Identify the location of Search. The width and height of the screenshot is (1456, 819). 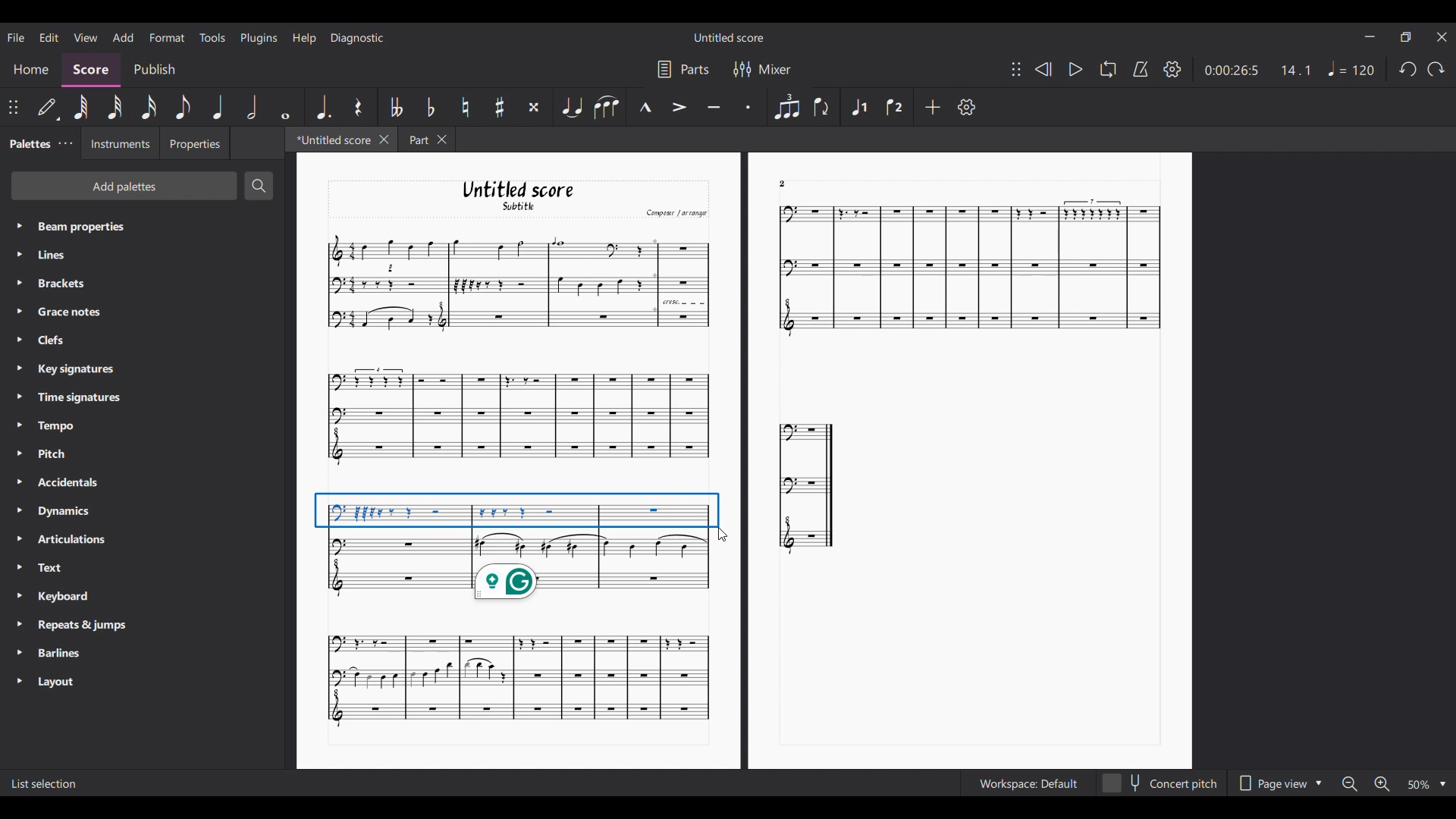
(259, 186).